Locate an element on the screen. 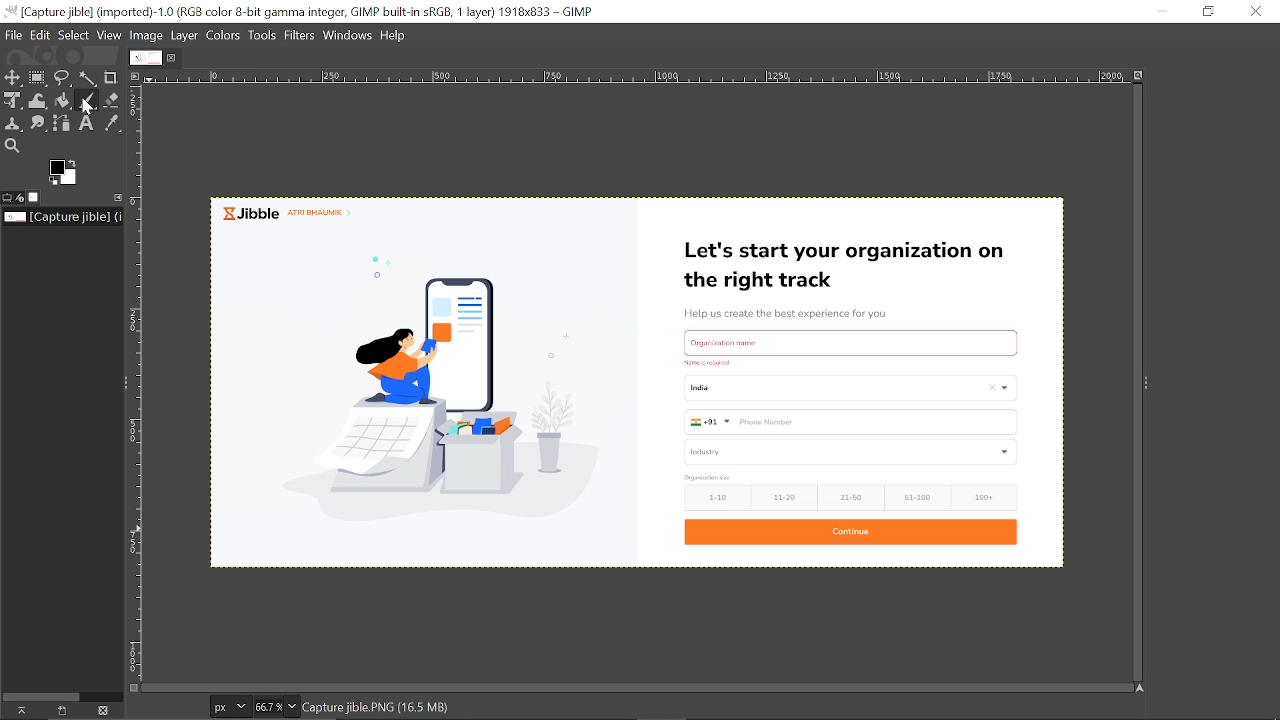 The image size is (1280, 720). Close tab is located at coordinates (173, 58).